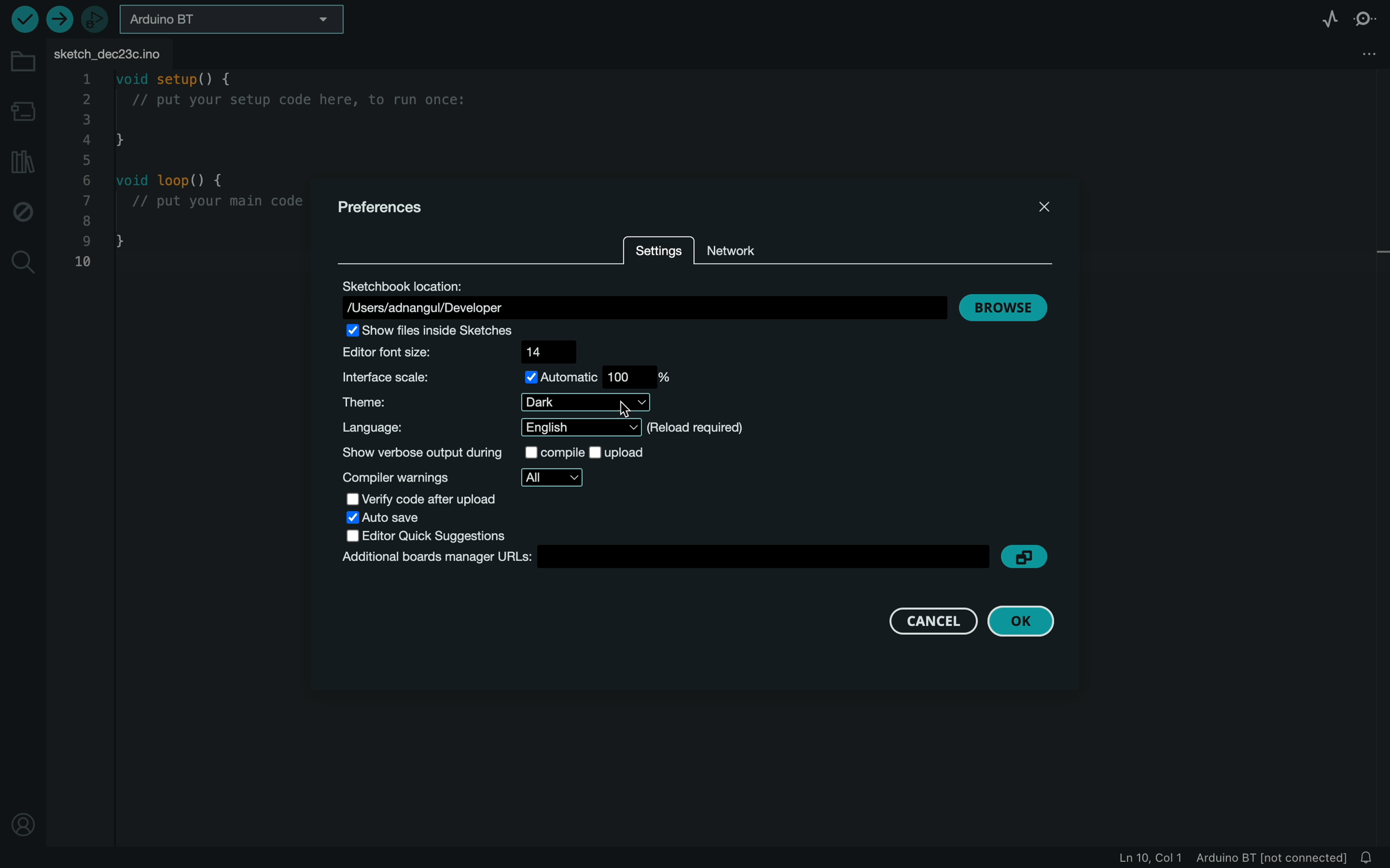 The image size is (1390, 868). What do you see at coordinates (27, 824) in the screenshot?
I see `profile` at bounding box center [27, 824].